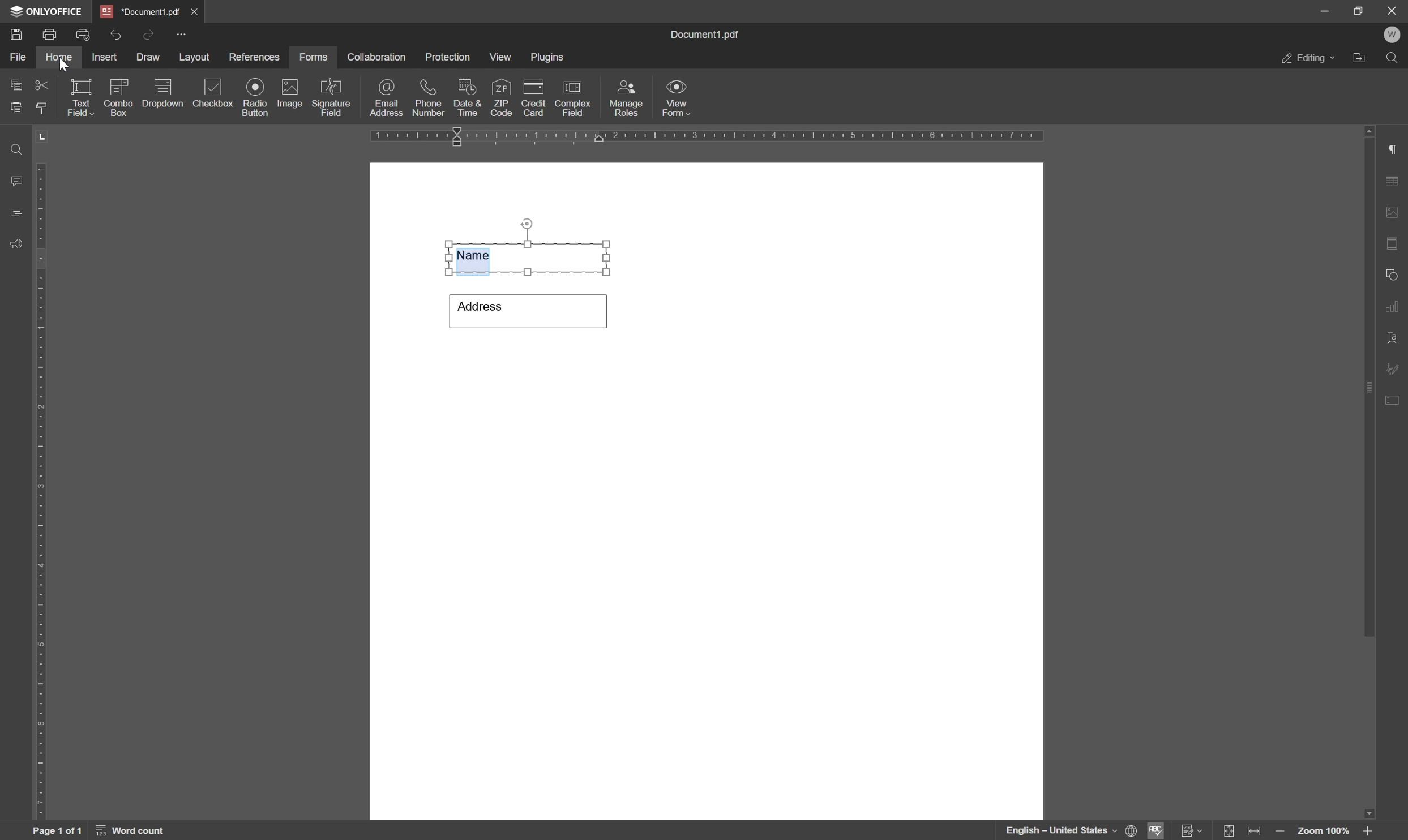 Image resolution: width=1408 pixels, height=840 pixels. What do you see at coordinates (165, 95) in the screenshot?
I see `description` at bounding box center [165, 95].